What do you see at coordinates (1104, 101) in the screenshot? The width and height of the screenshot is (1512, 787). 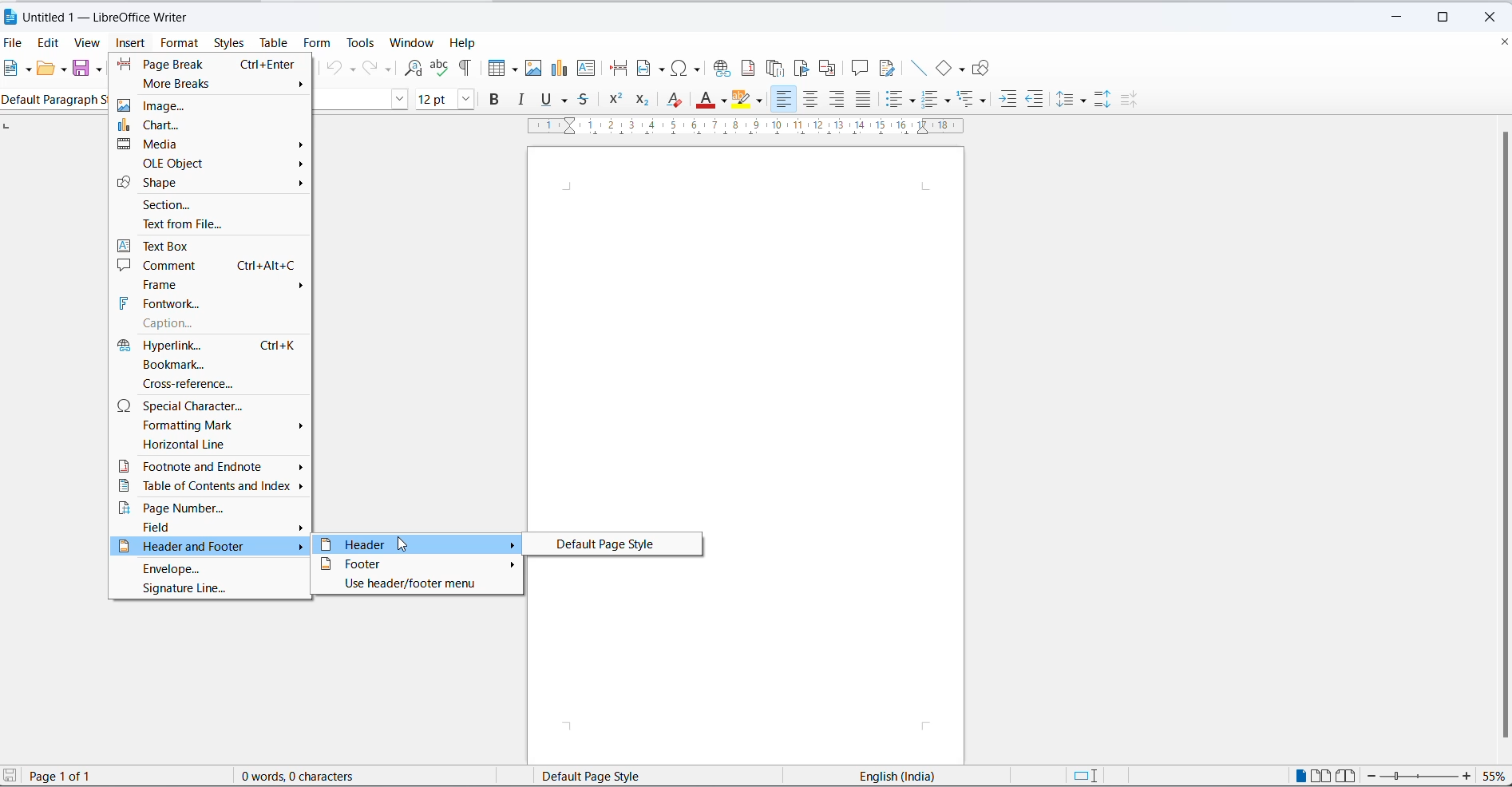 I see `increase paragraph spacing` at bounding box center [1104, 101].